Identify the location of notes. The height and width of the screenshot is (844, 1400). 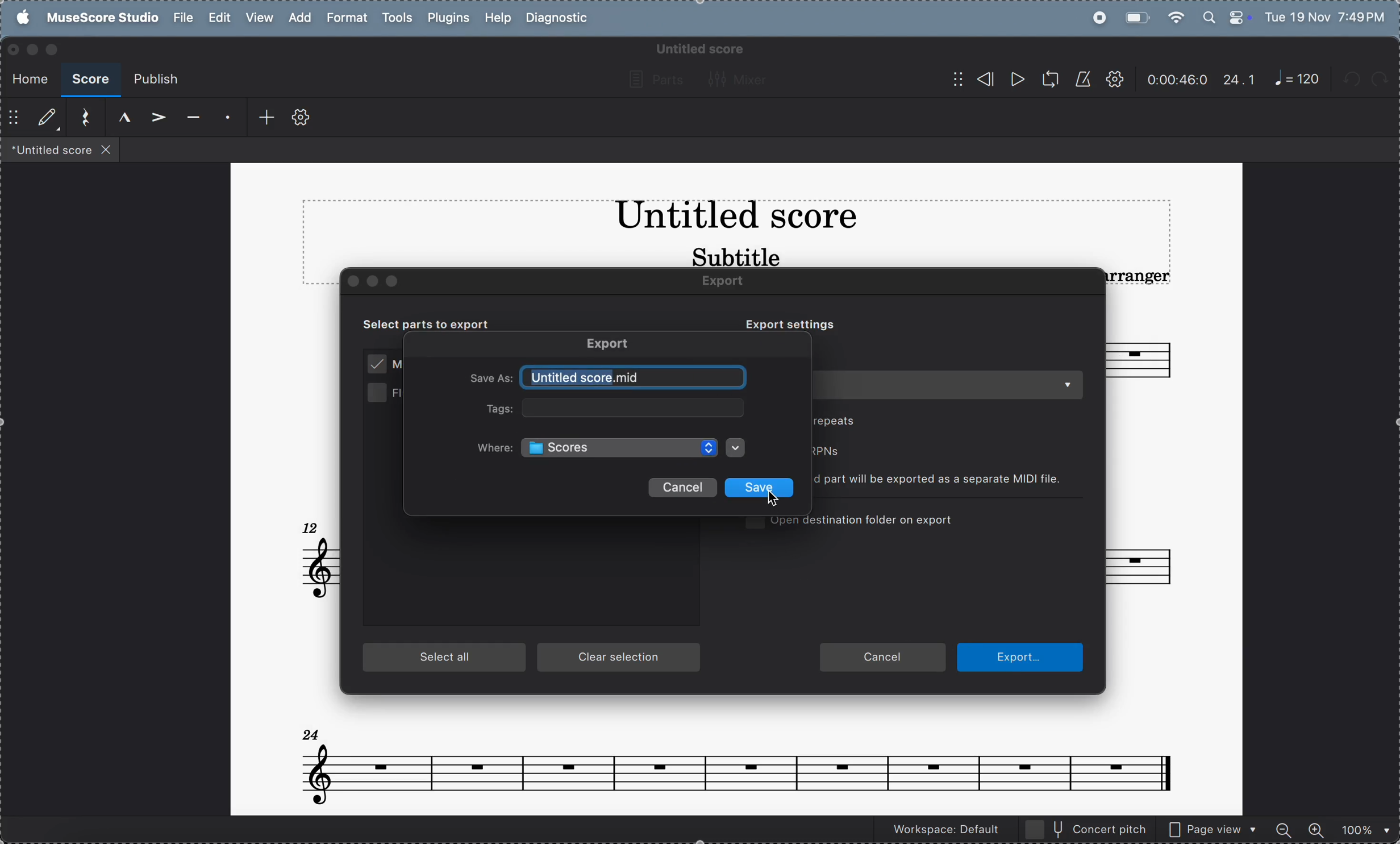
(736, 760).